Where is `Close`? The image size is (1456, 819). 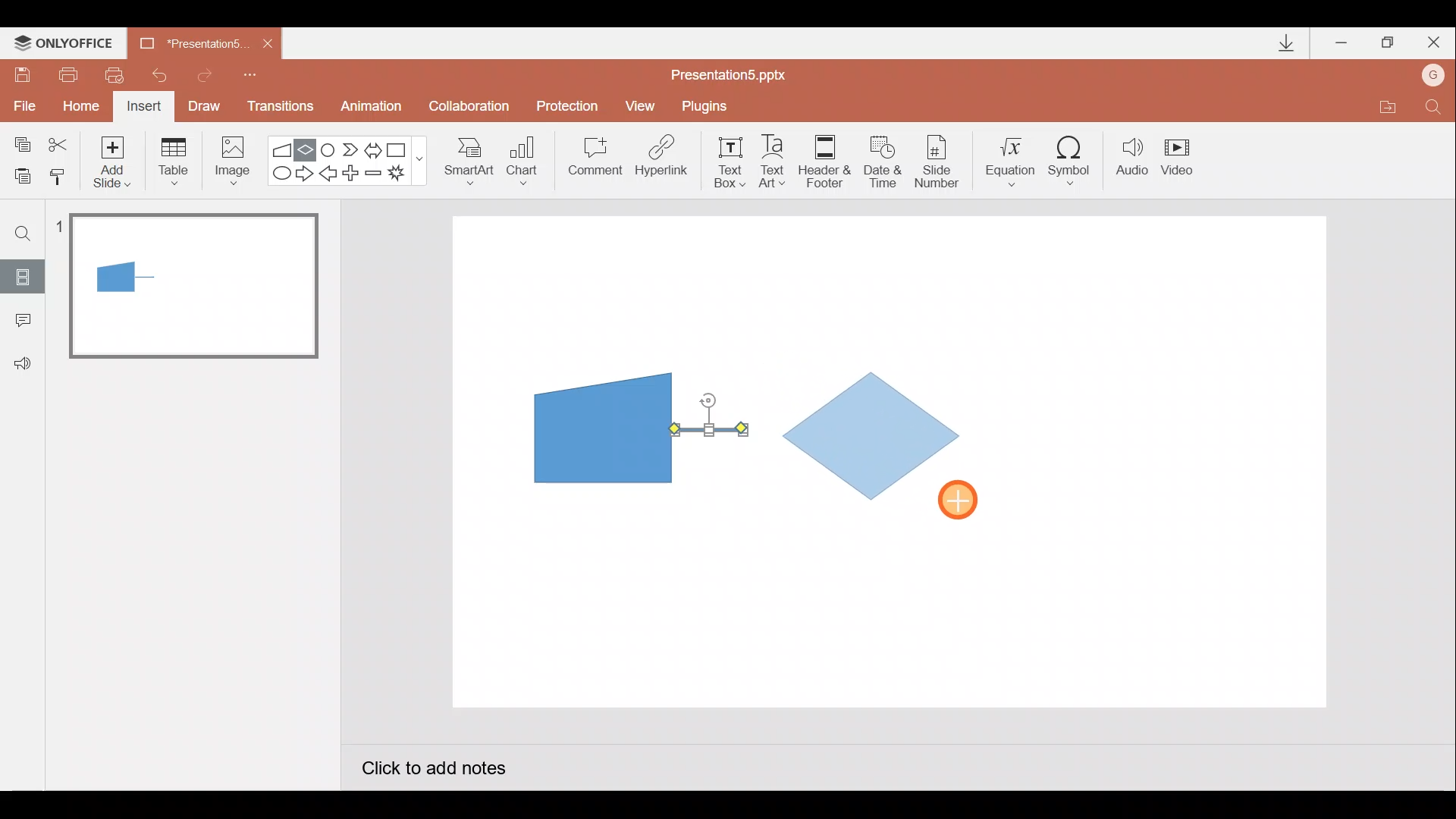
Close is located at coordinates (1434, 45).